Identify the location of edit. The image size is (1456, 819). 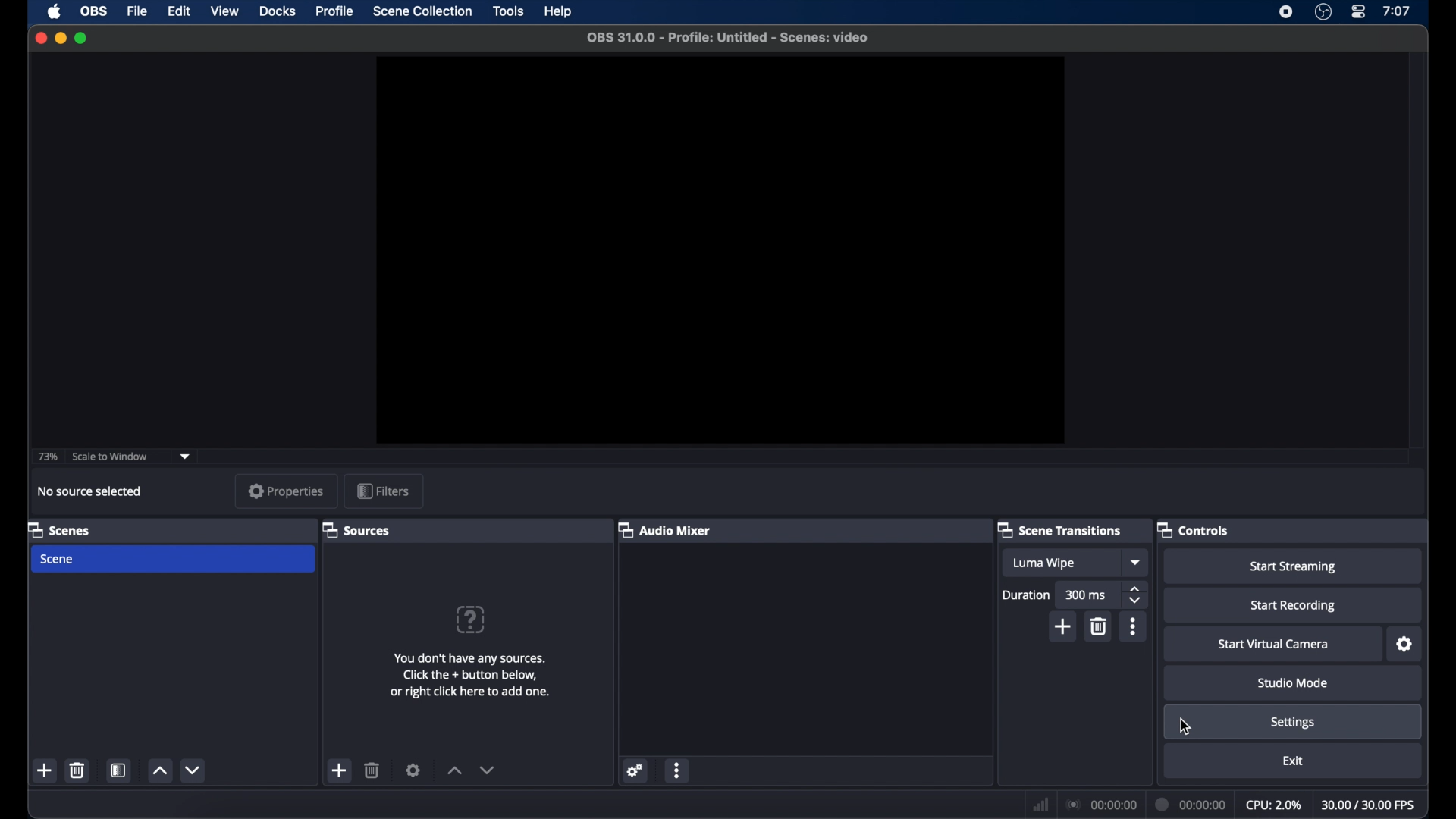
(178, 11).